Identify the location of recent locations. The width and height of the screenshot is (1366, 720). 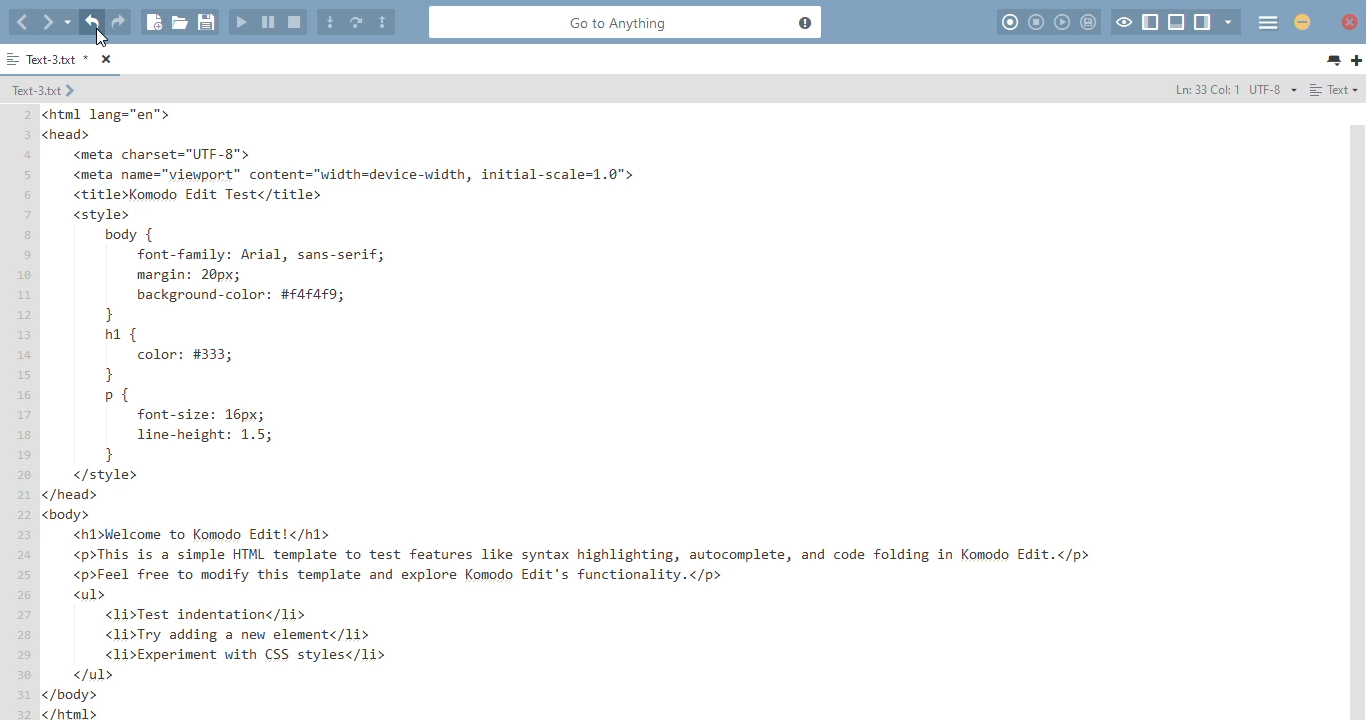
(68, 20).